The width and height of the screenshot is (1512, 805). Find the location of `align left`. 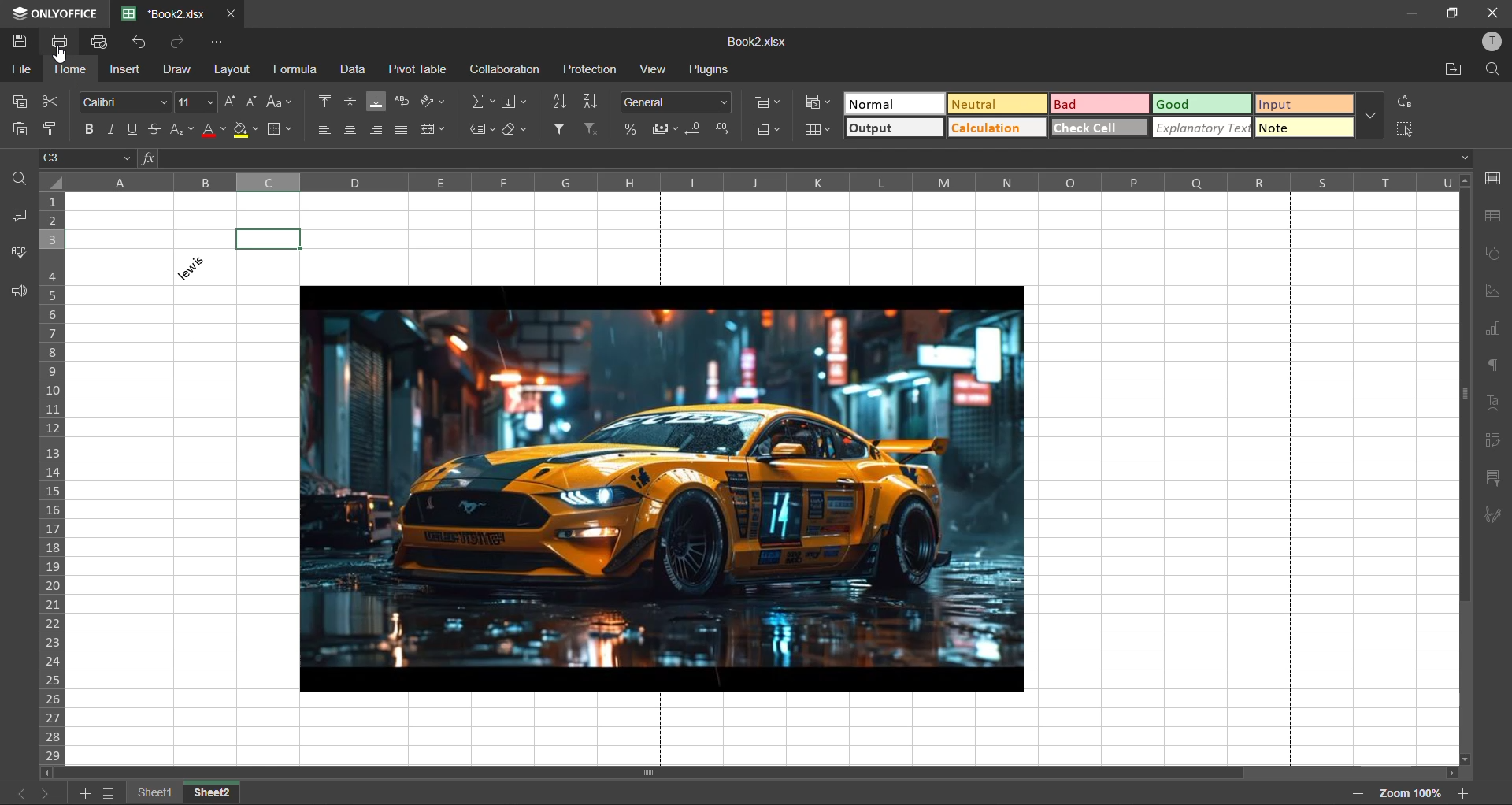

align left is located at coordinates (325, 128).